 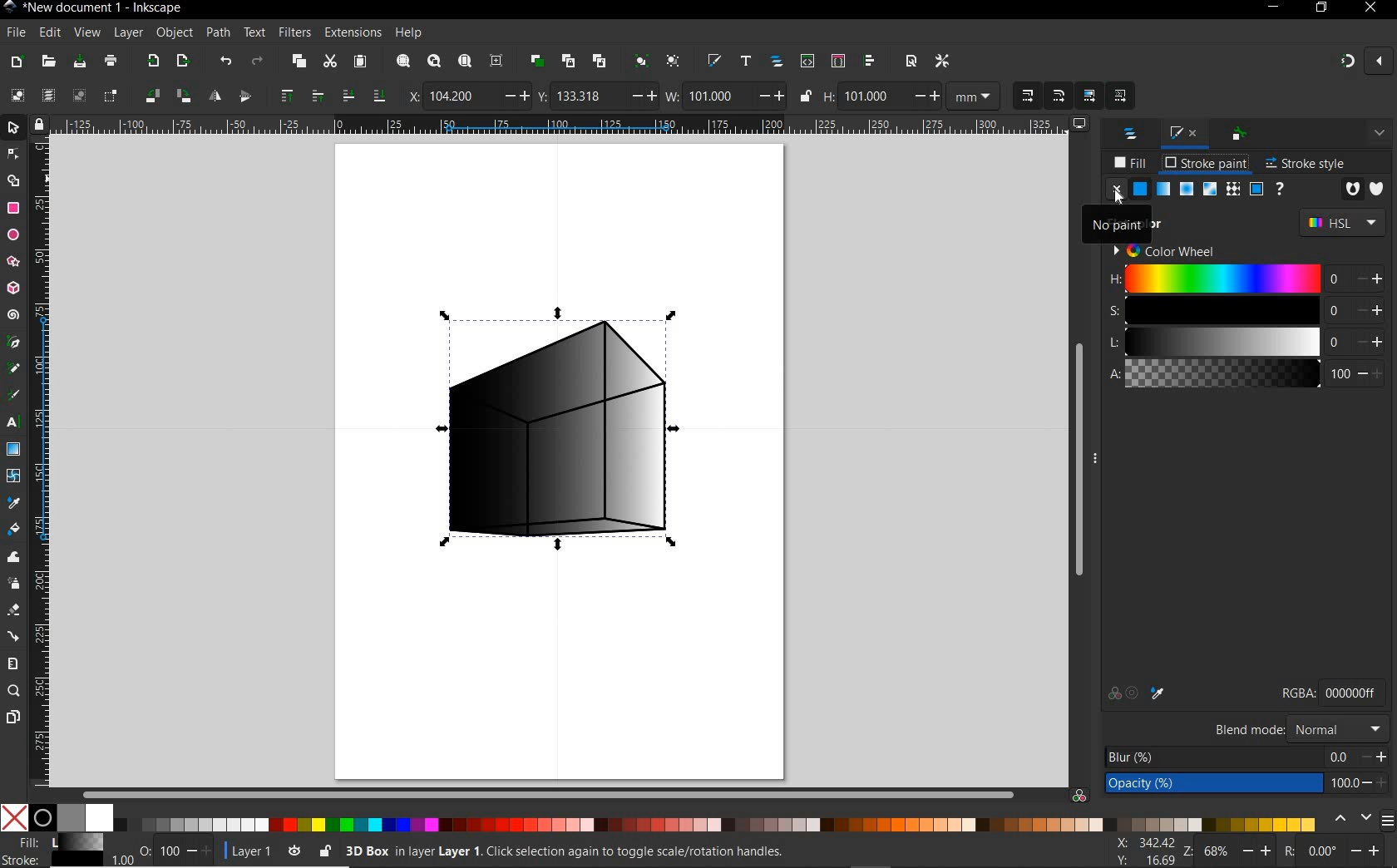 What do you see at coordinates (1189, 853) in the screenshot?
I see `ZOOM` at bounding box center [1189, 853].